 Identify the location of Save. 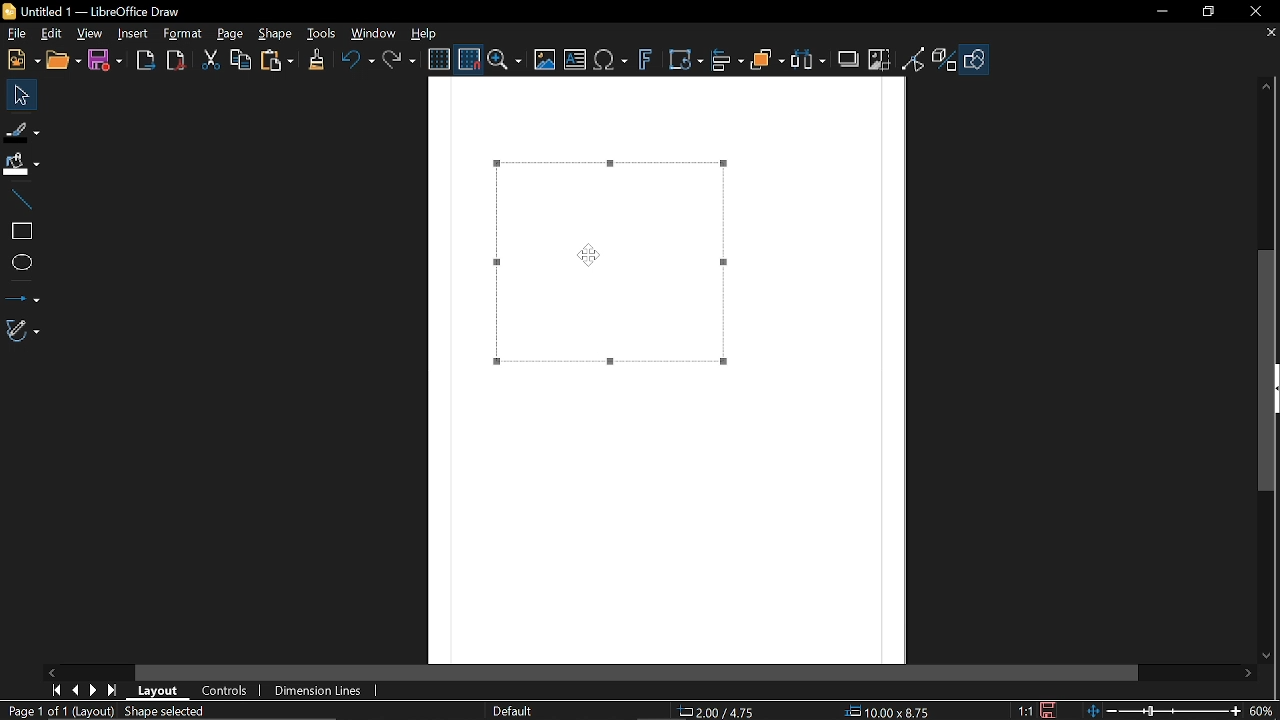
(1049, 710).